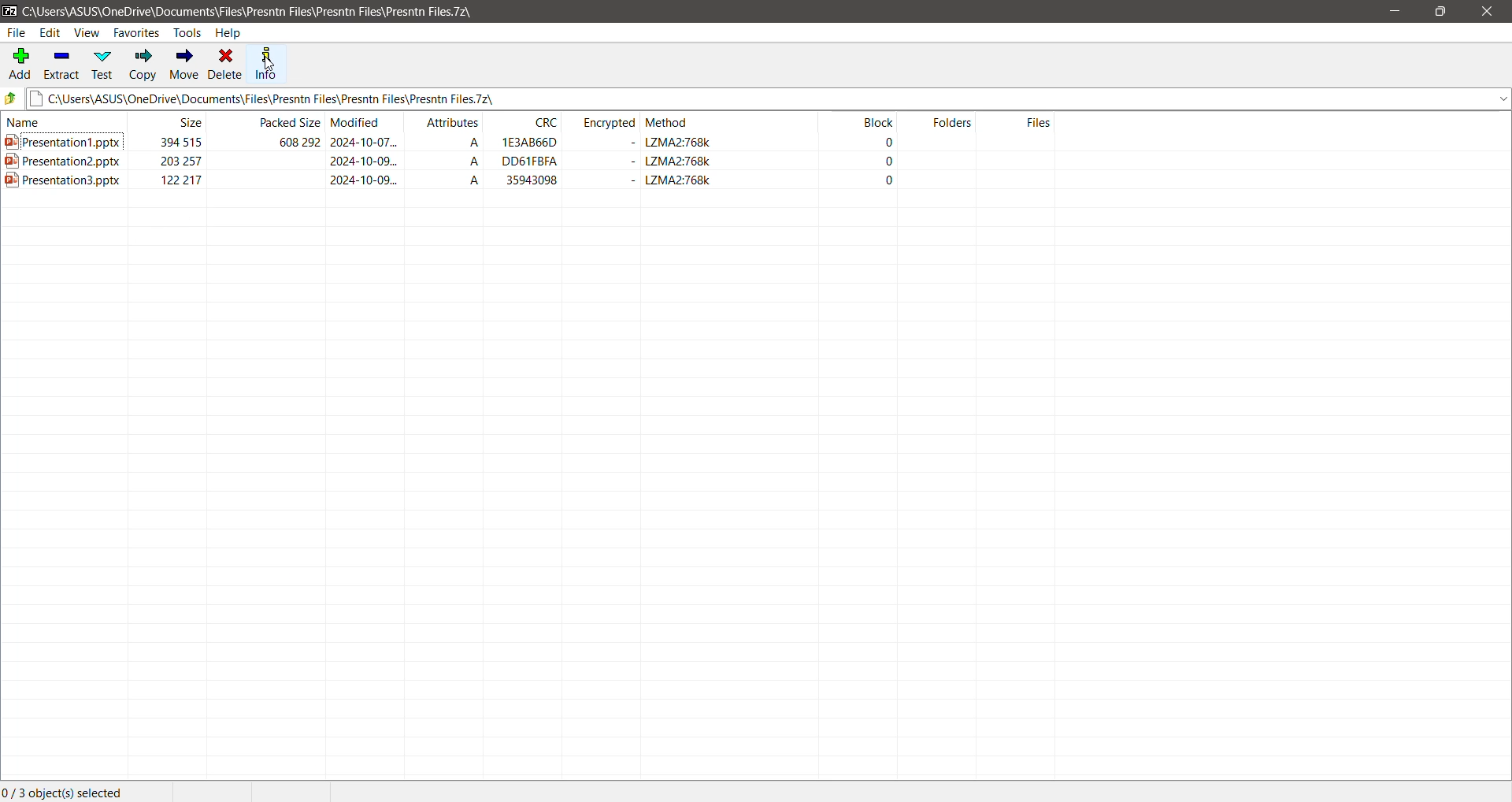 This screenshot has width=1512, height=802. I want to click on Presentation3.pptx, so click(68, 184).